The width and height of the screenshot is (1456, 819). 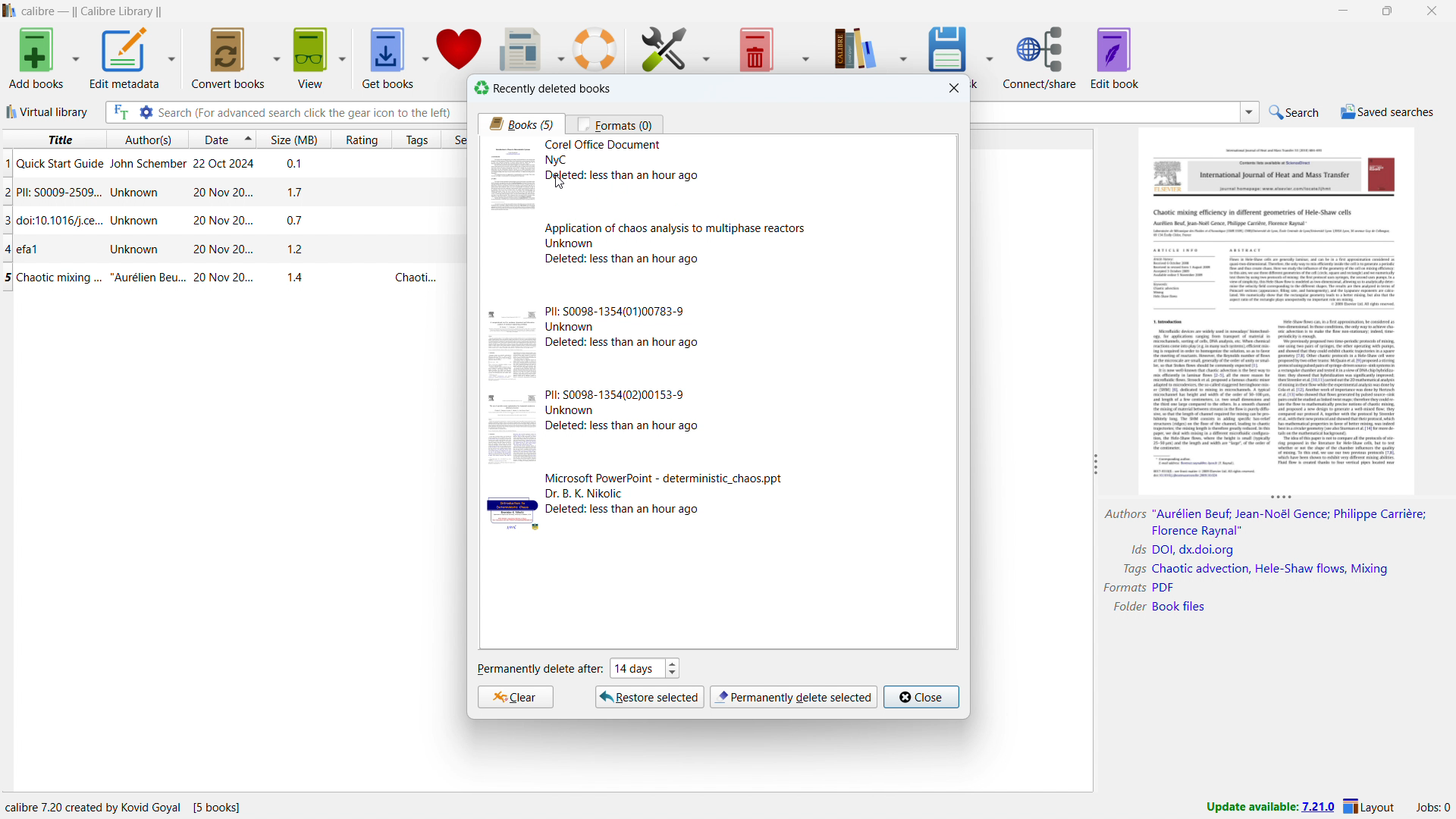 What do you see at coordinates (214, 139) in the screenshot?
I see `sort by date` at bounding box center [214, 139].